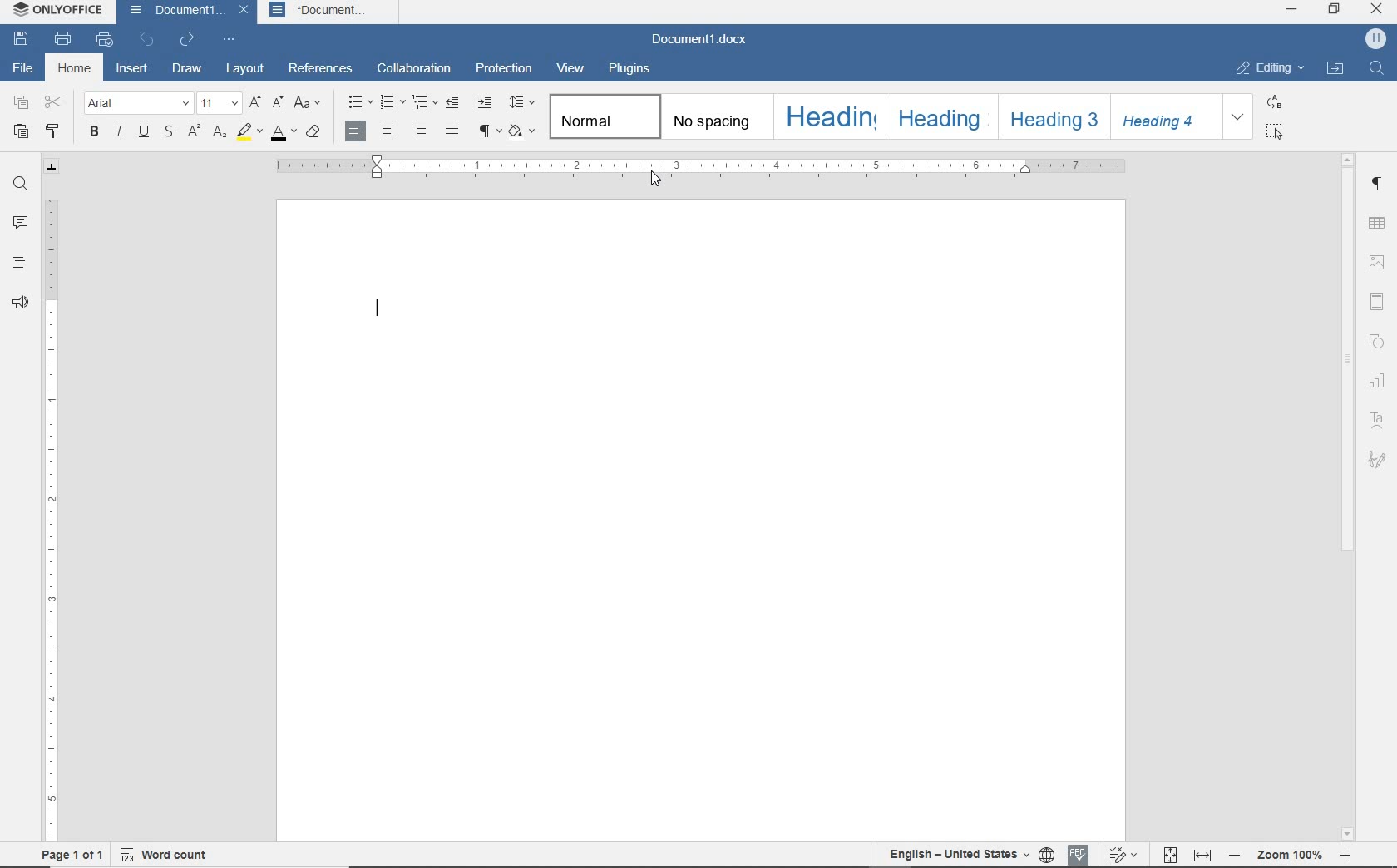 This screenshot has width=1397, height=868. Describe the element at coordinates (62, 38) in the screenshot. I see `PRINT` at that location.